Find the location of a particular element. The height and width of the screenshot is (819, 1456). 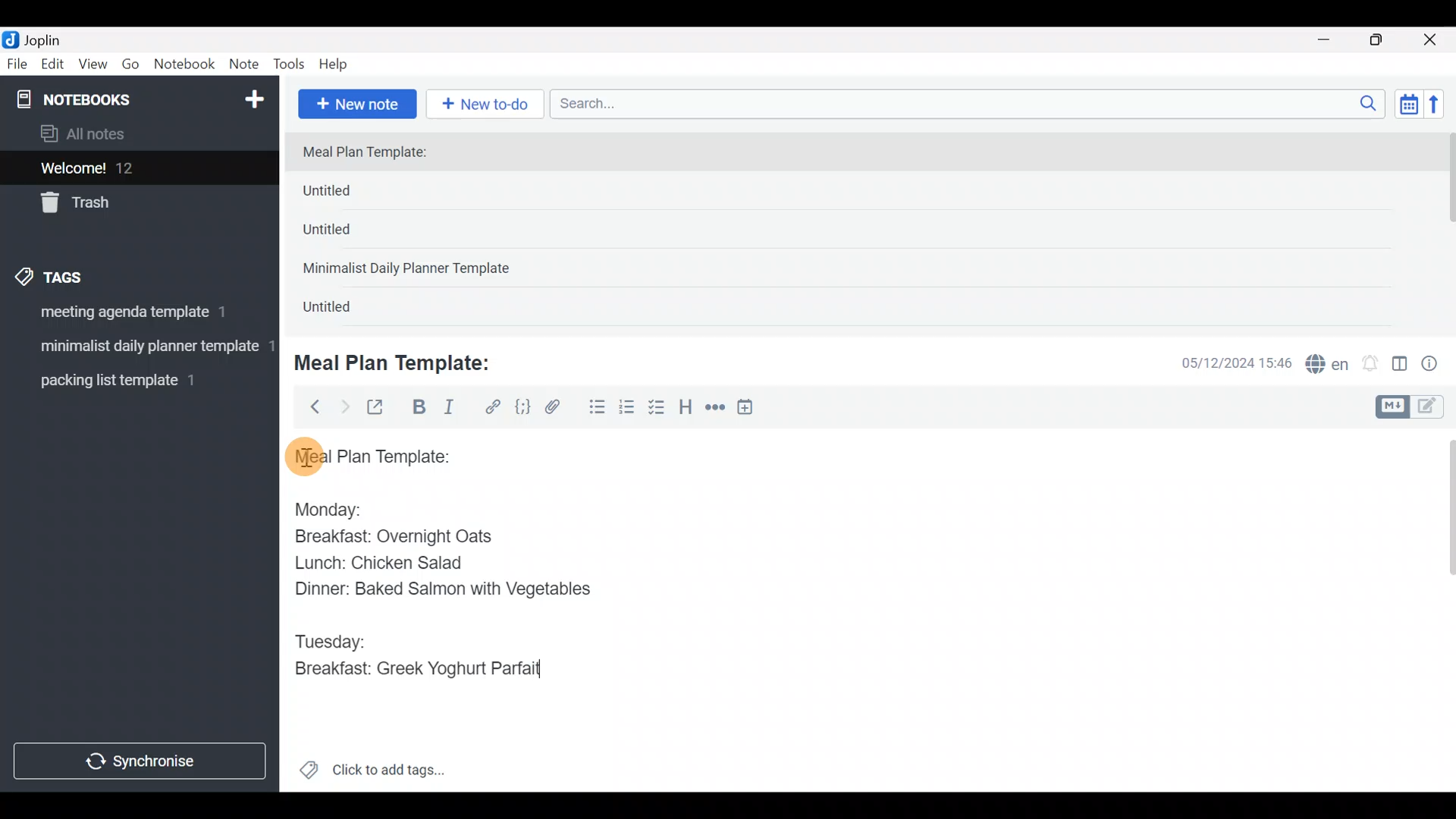

Meal plan template is located at coordinates (367, 454).